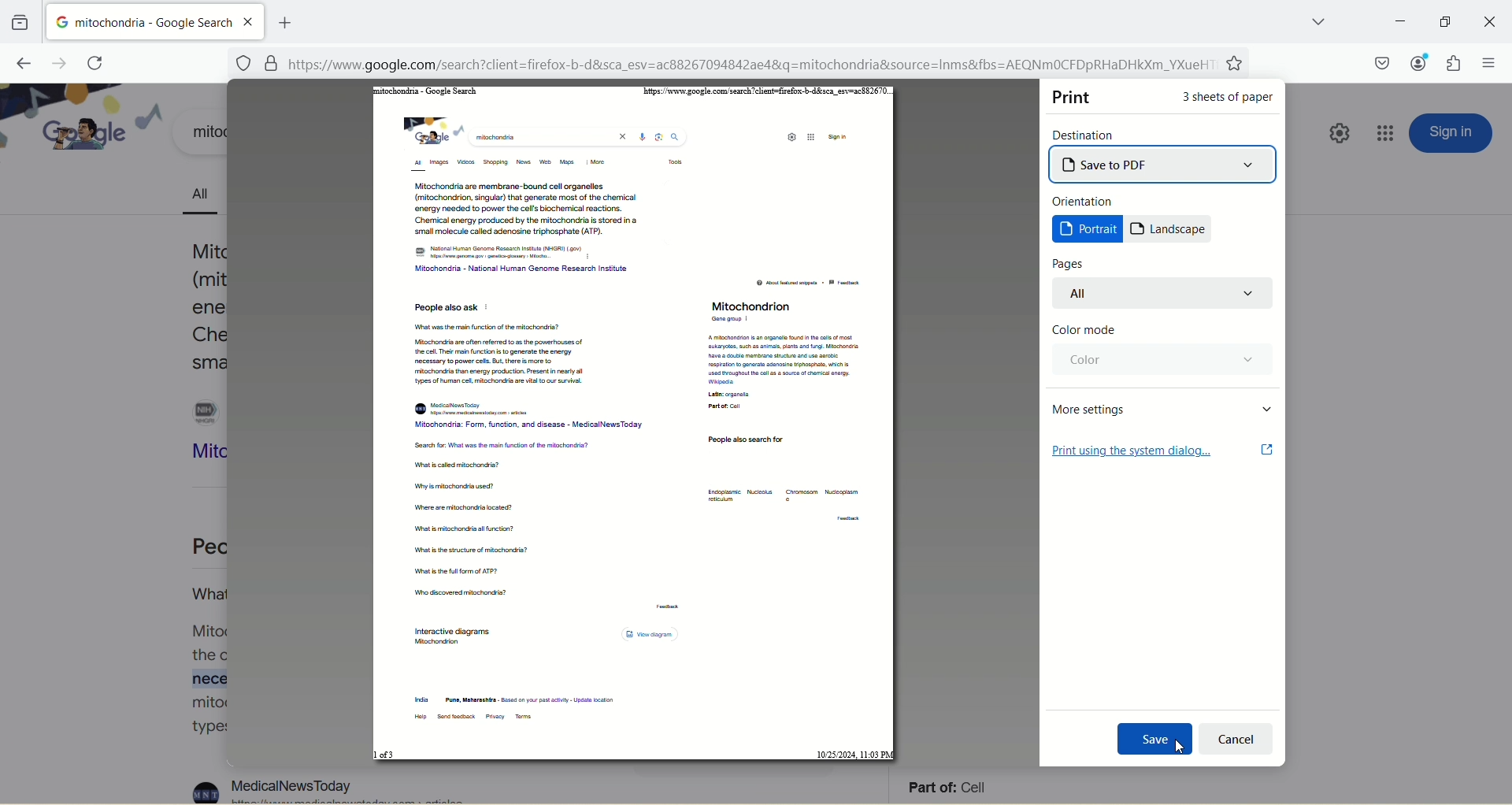 The width and height of the screenshot is (1512, 805). Describe the element at coordinates (634, 425) in the screenshot. I see `PDF page` at that location.